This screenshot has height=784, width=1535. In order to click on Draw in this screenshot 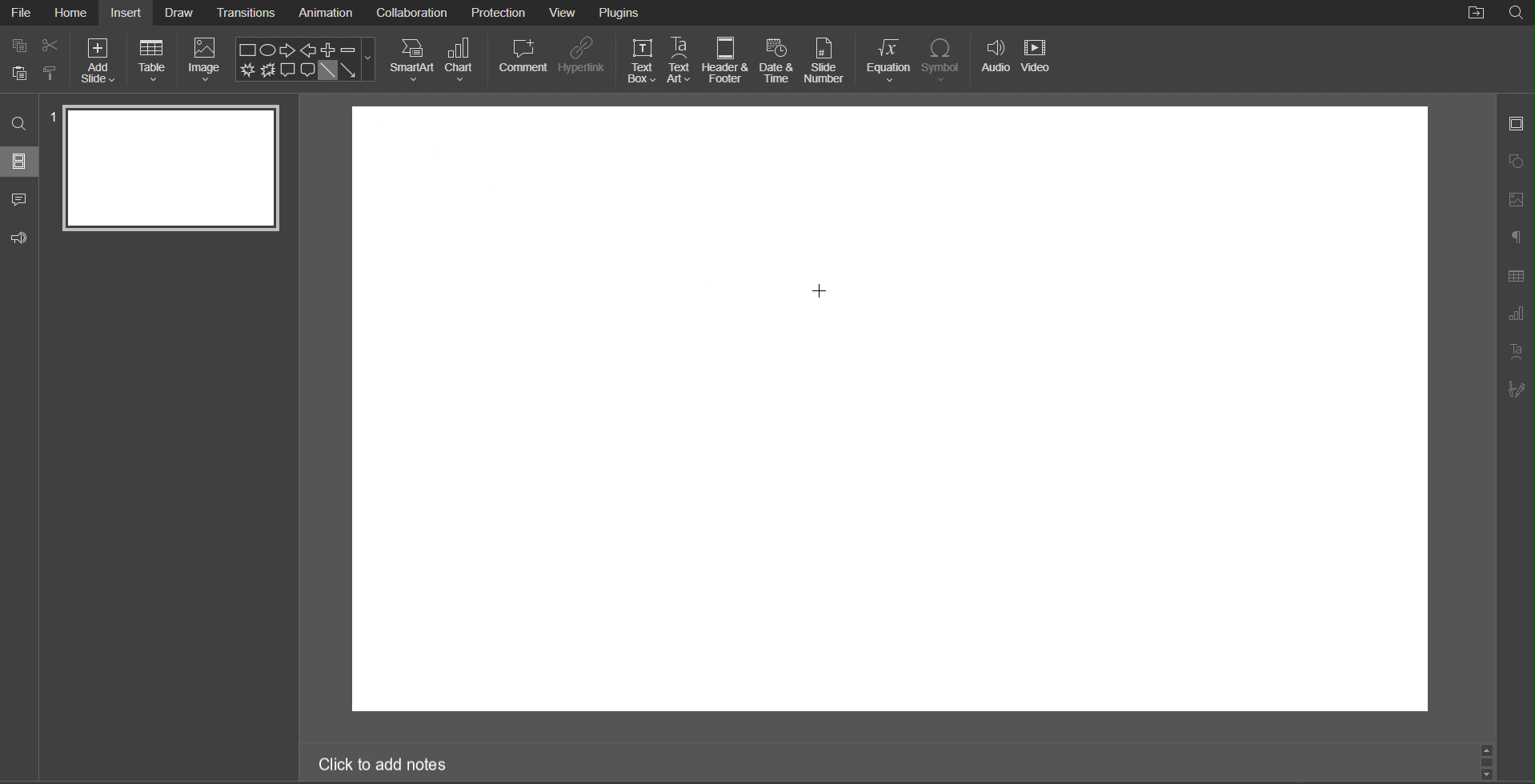, I will do `click(180, 13)`.